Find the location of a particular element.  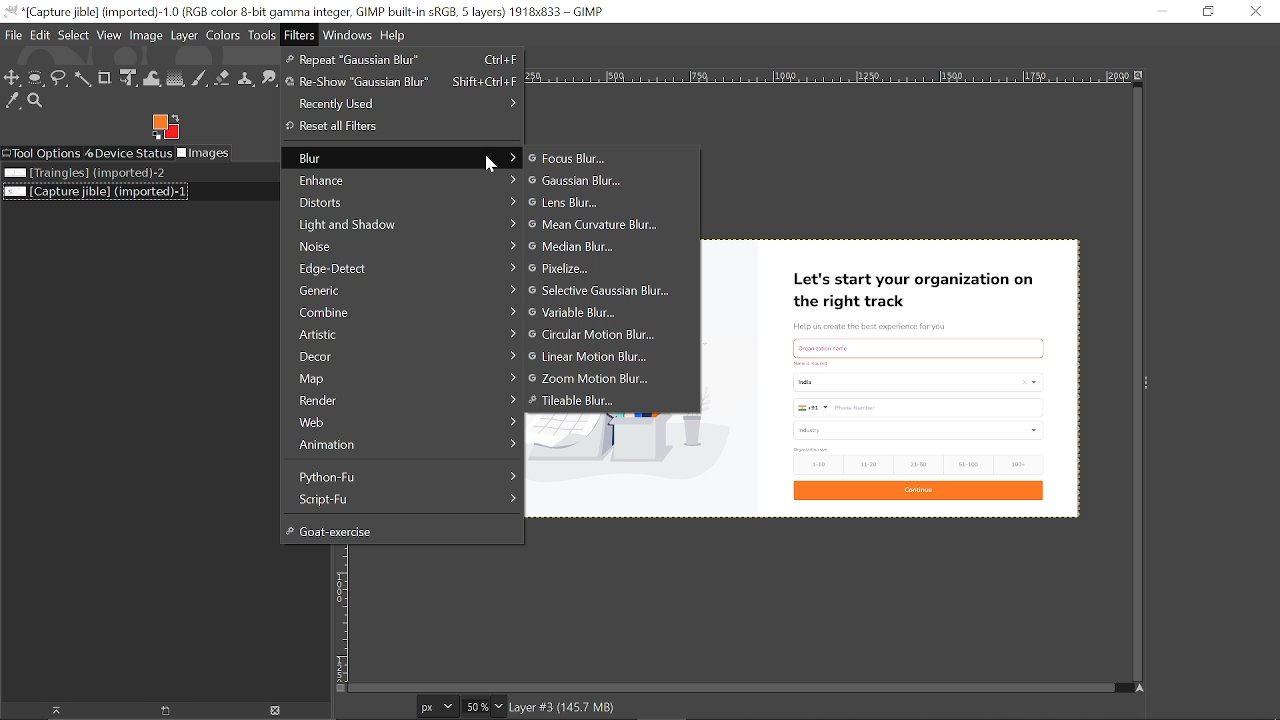

Linear Motion Blur is located at coordinates (605, 358).